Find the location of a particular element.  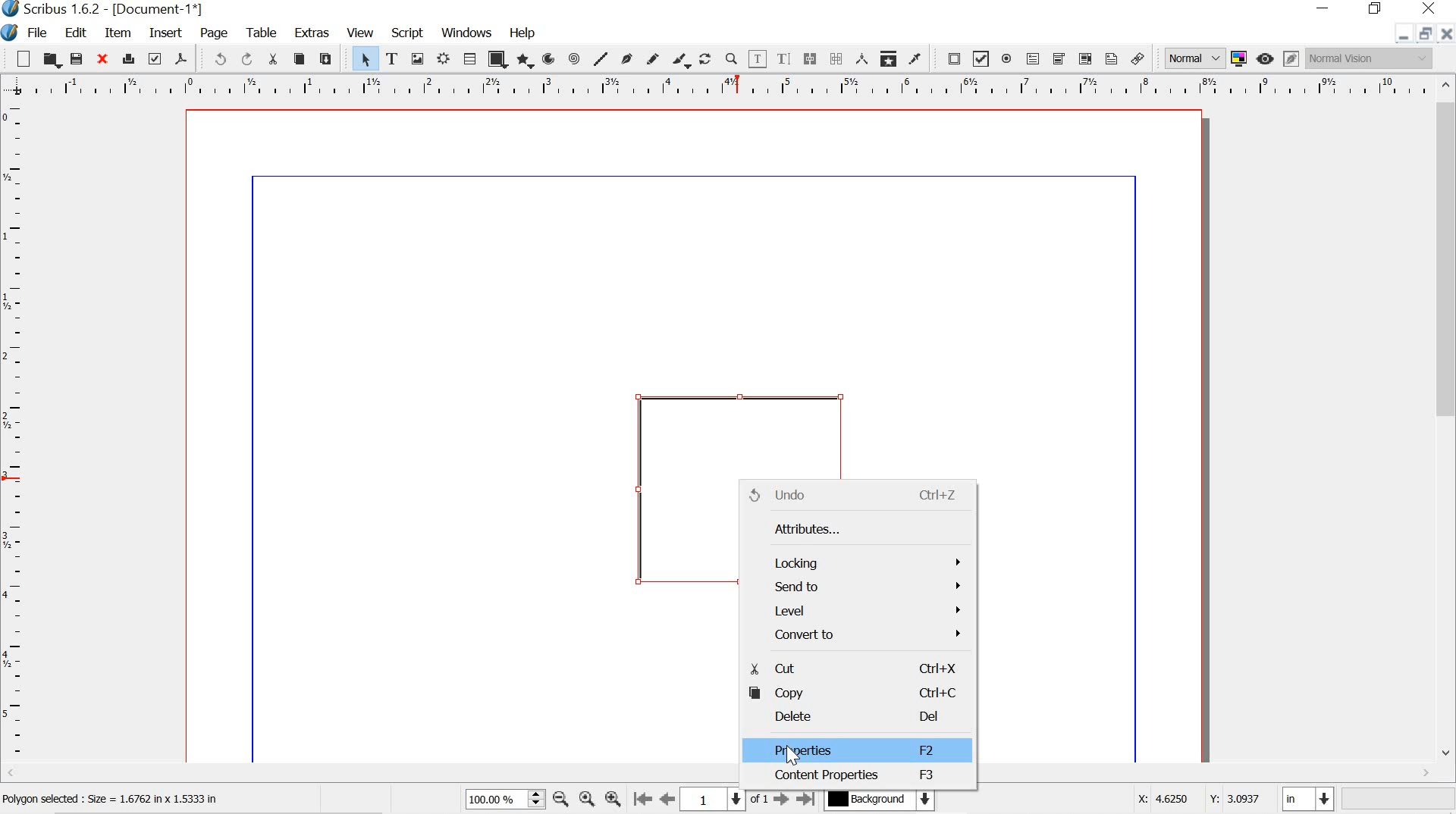

RESTORE DOWN is located at coordinates (1423, 36).